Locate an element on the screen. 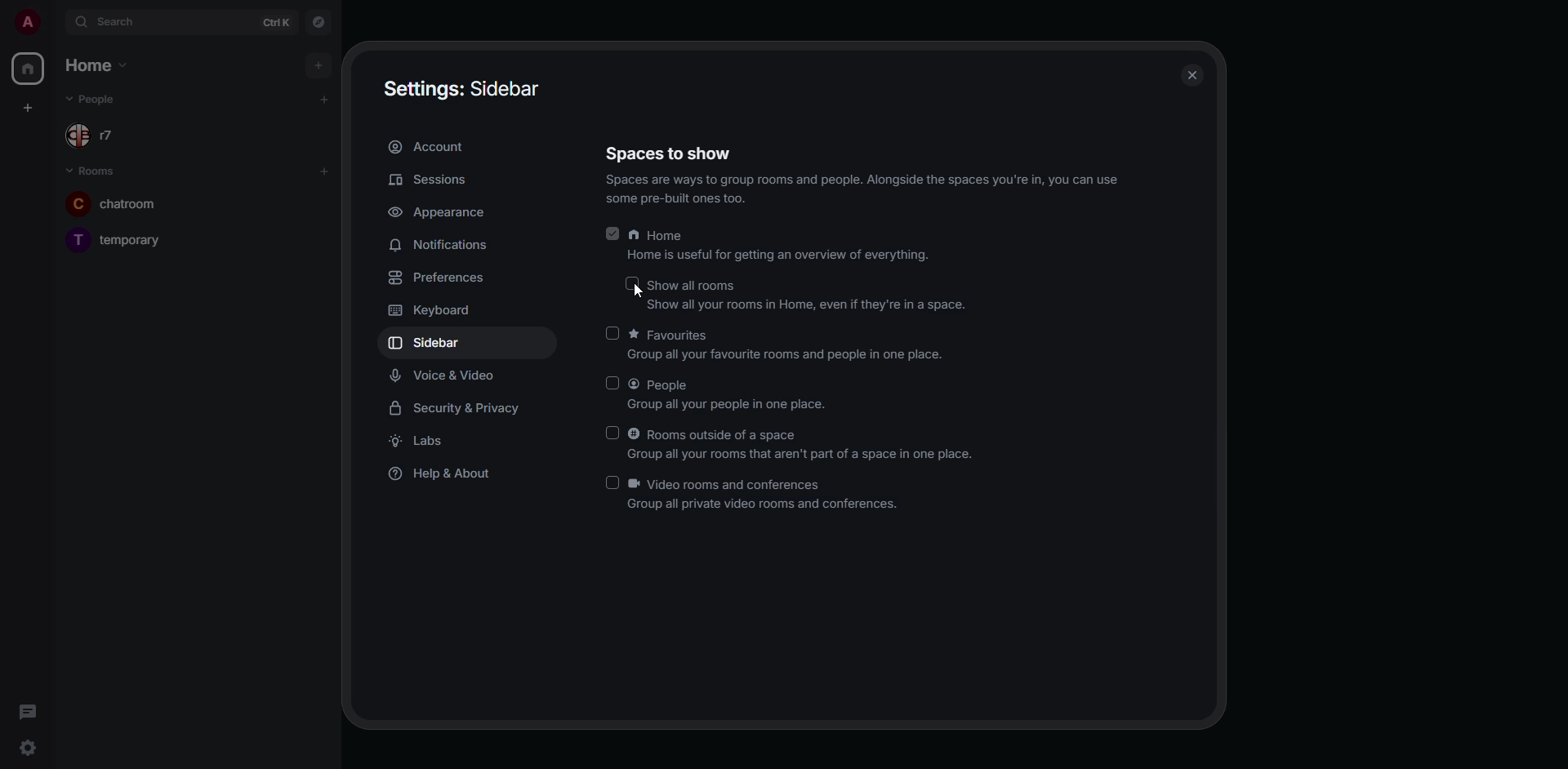 The height and width of the screenshot is (769, 1568). enabled is located at coordinates (611, 482).